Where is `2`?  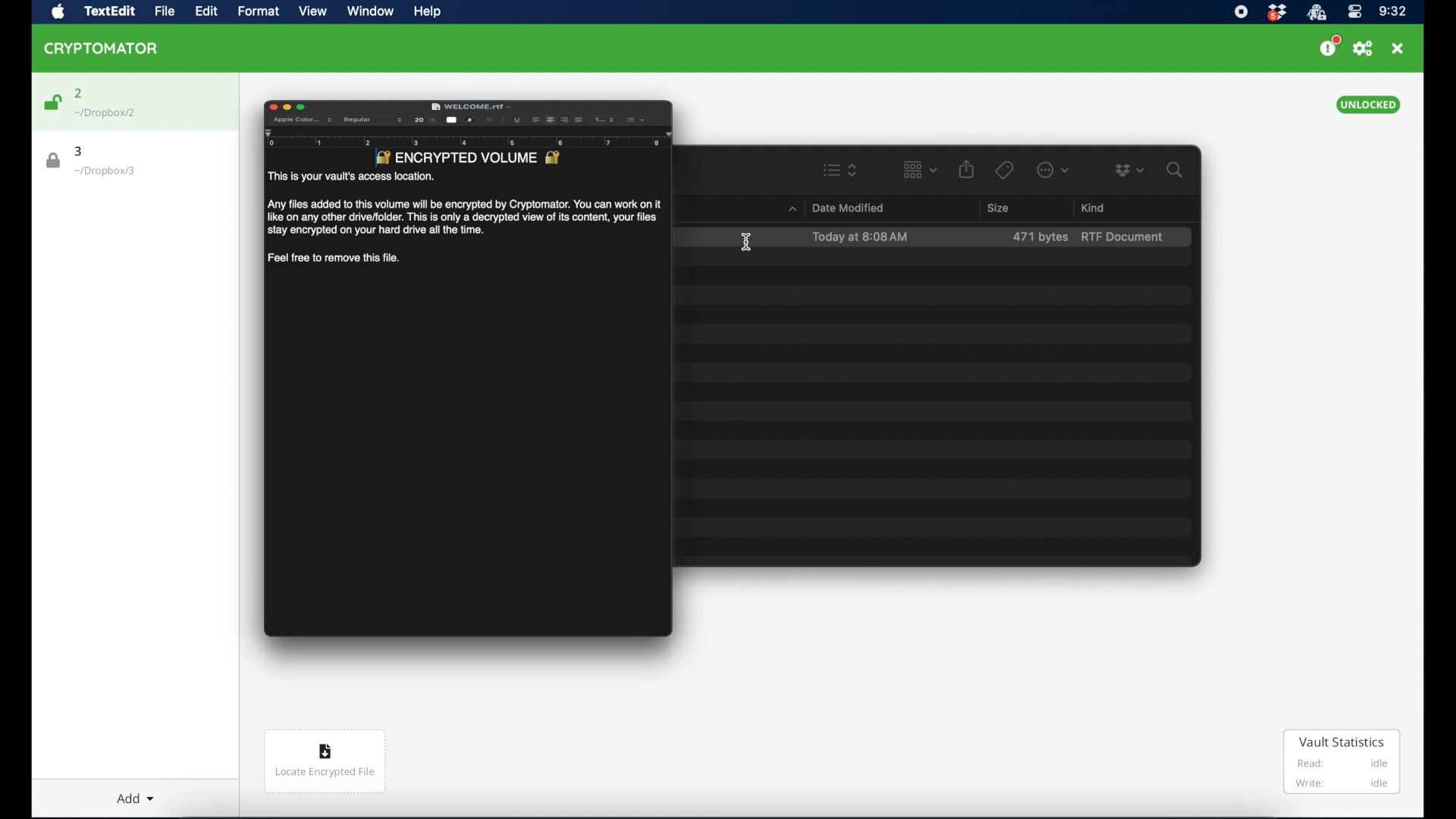 2 is located at coordinates (79, 92).